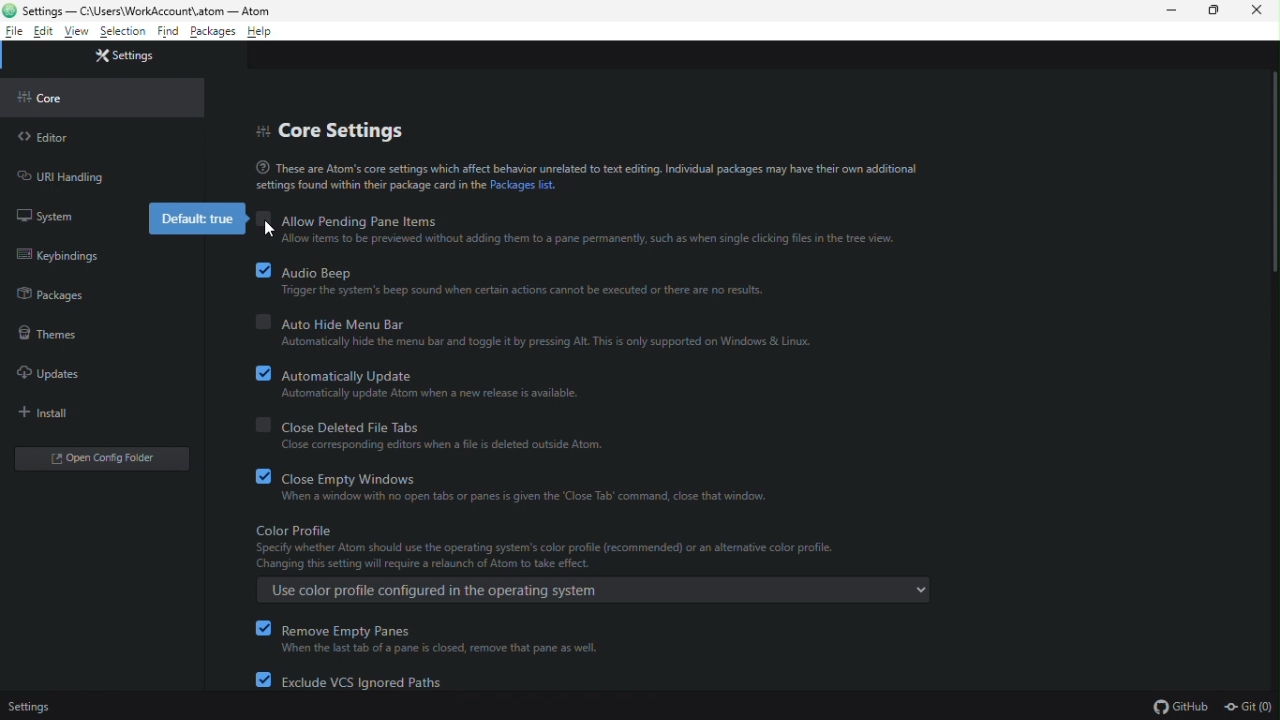 This screenshot has width=1280, height=720. What do you see at coordinates (145, 9) in the screenshot?
I see `Settings- file name and file path` at bounding box center [145, 9].